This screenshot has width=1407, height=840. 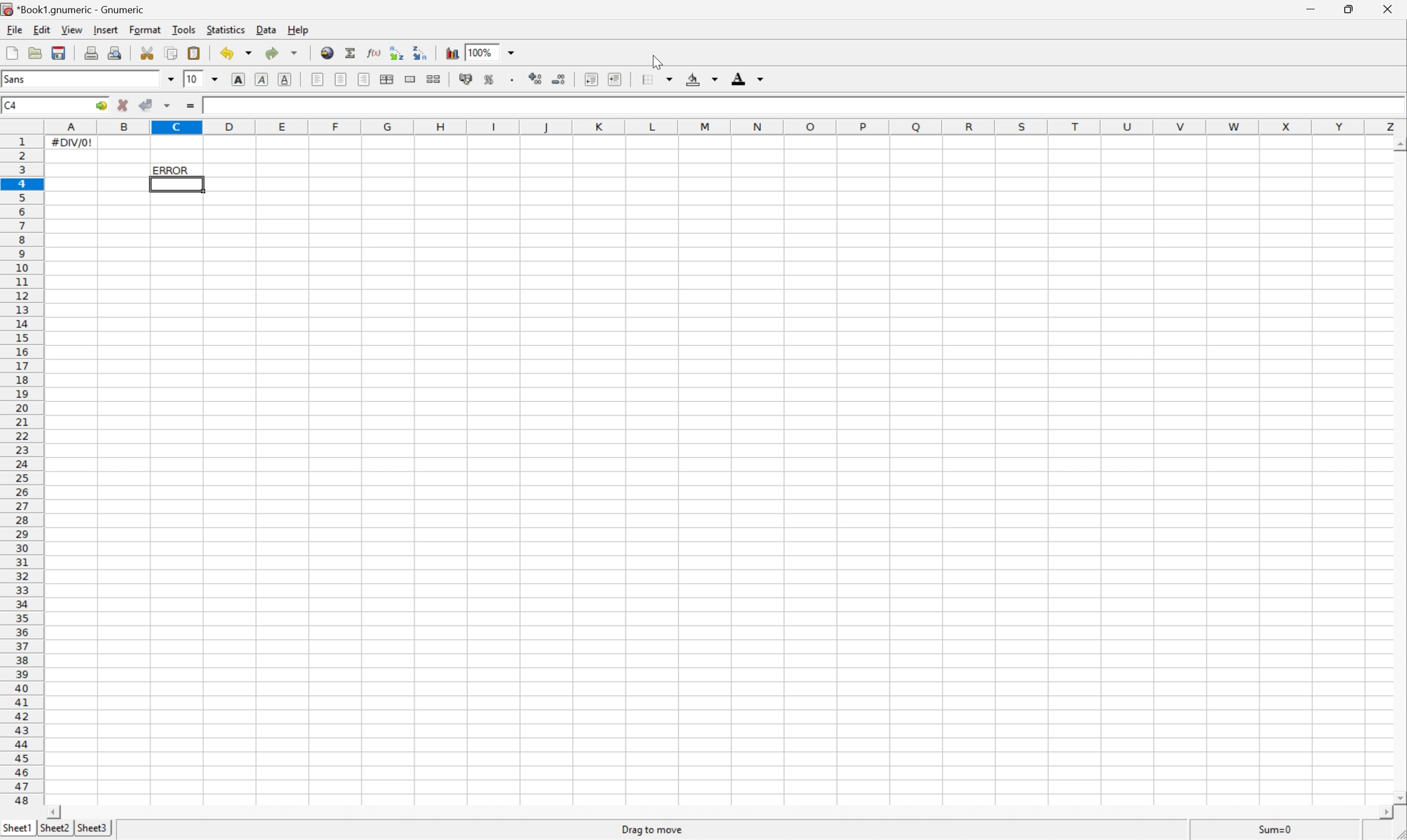 What do you see at coordinates (11, 53) in the screenshot?
I see ` Create new workbook` at bounding box center [11, 53].